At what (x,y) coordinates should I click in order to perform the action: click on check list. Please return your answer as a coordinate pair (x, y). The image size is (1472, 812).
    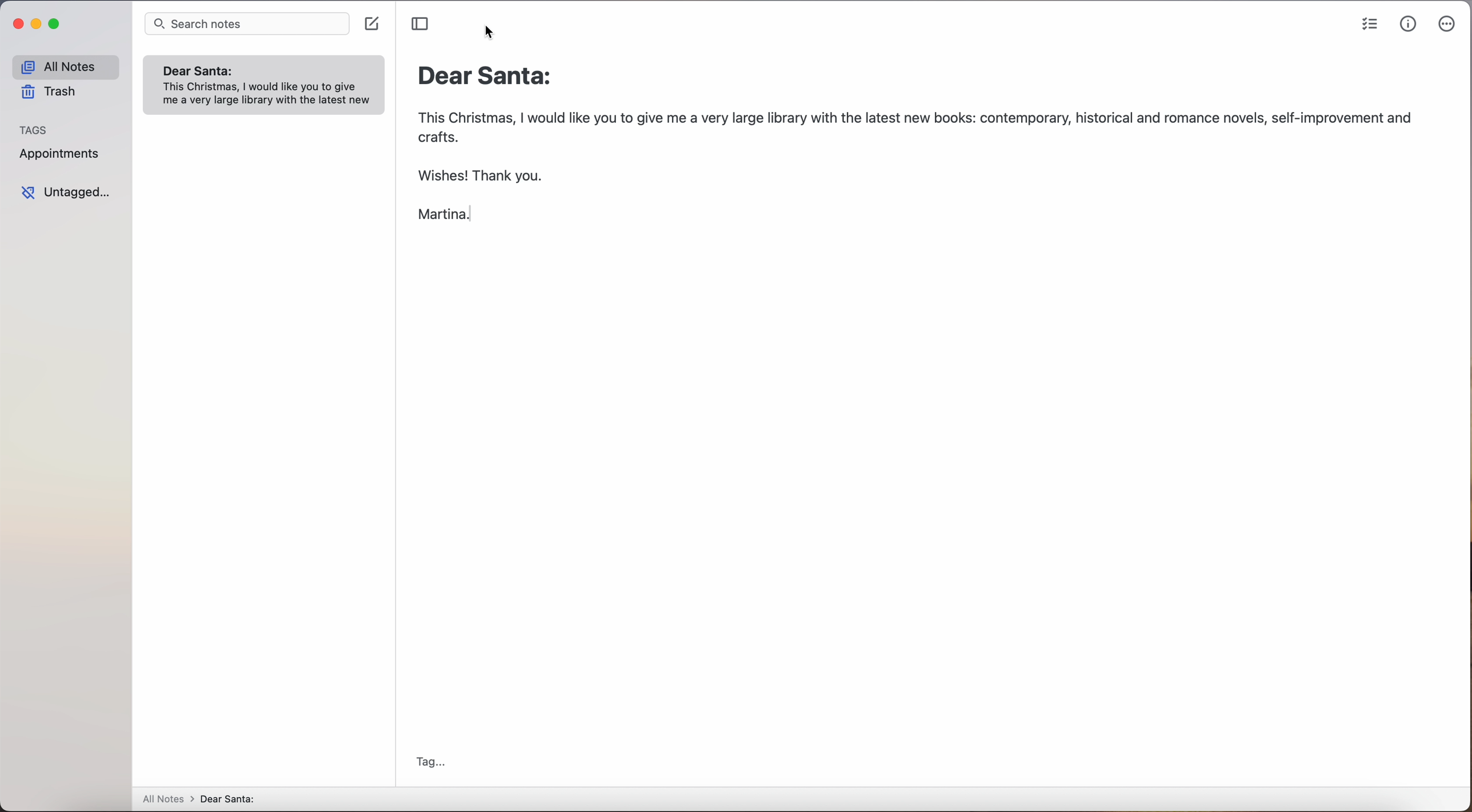
    Looking at the image, I should click on (1370, 25).